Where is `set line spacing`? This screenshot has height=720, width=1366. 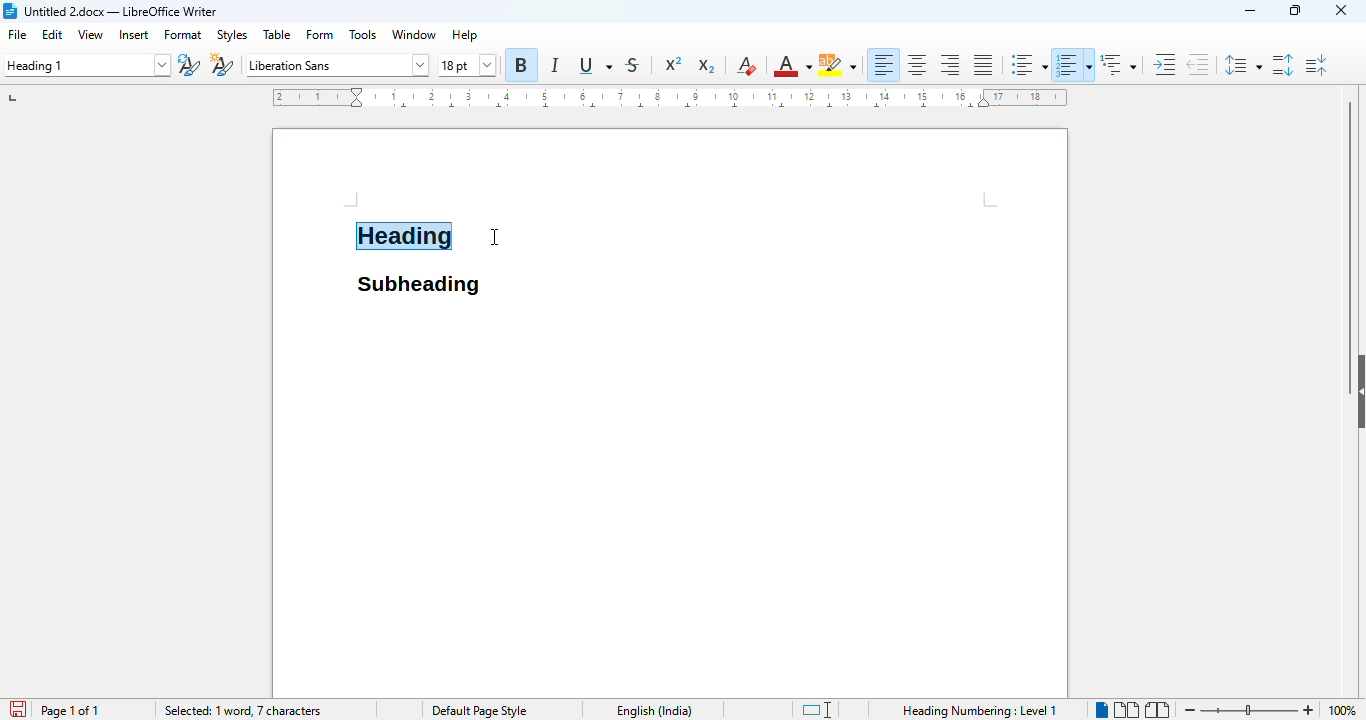
set line spacing is located at coordinates (1240, 65).